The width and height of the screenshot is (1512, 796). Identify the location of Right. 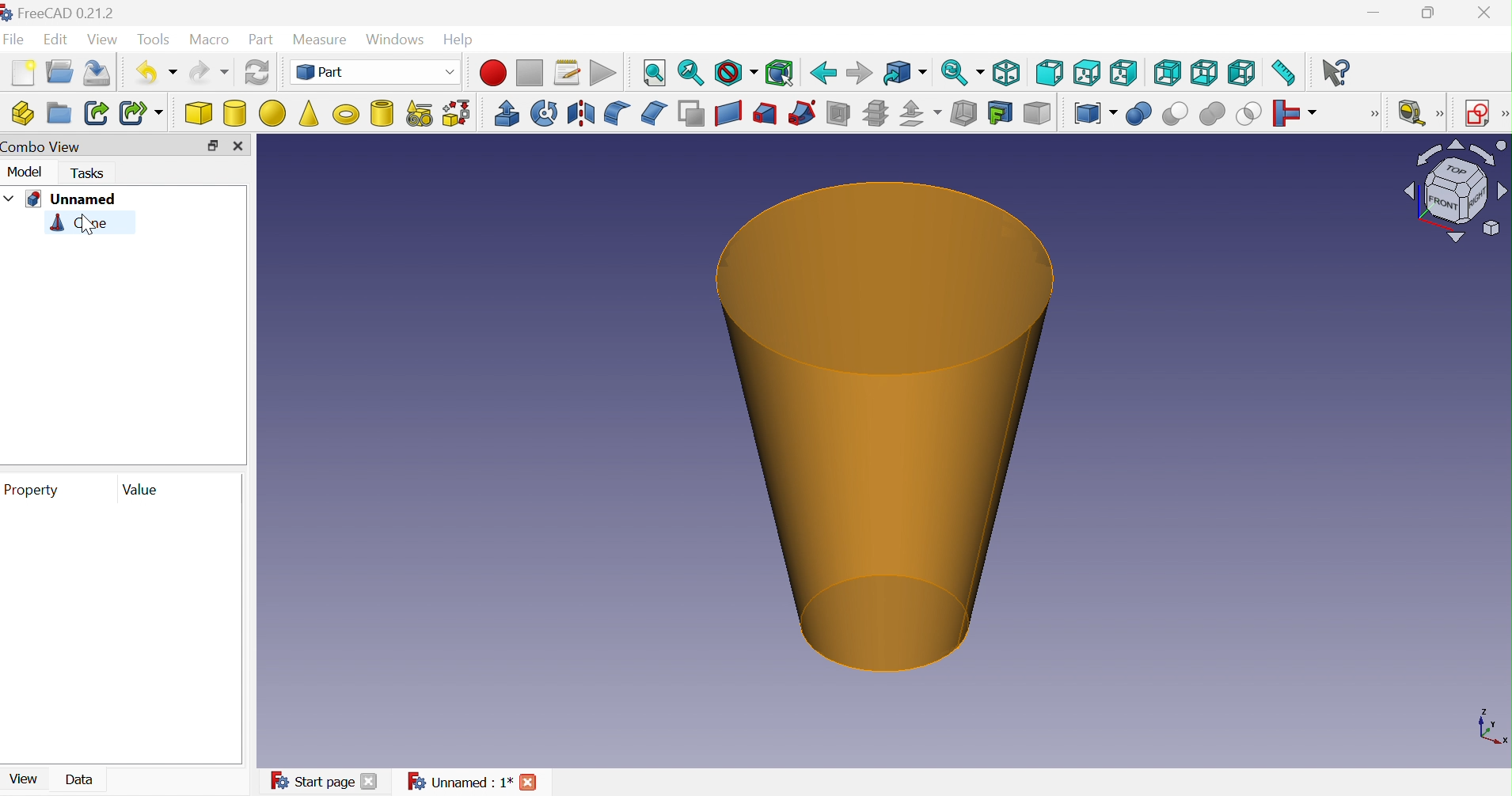
(1124, 71).